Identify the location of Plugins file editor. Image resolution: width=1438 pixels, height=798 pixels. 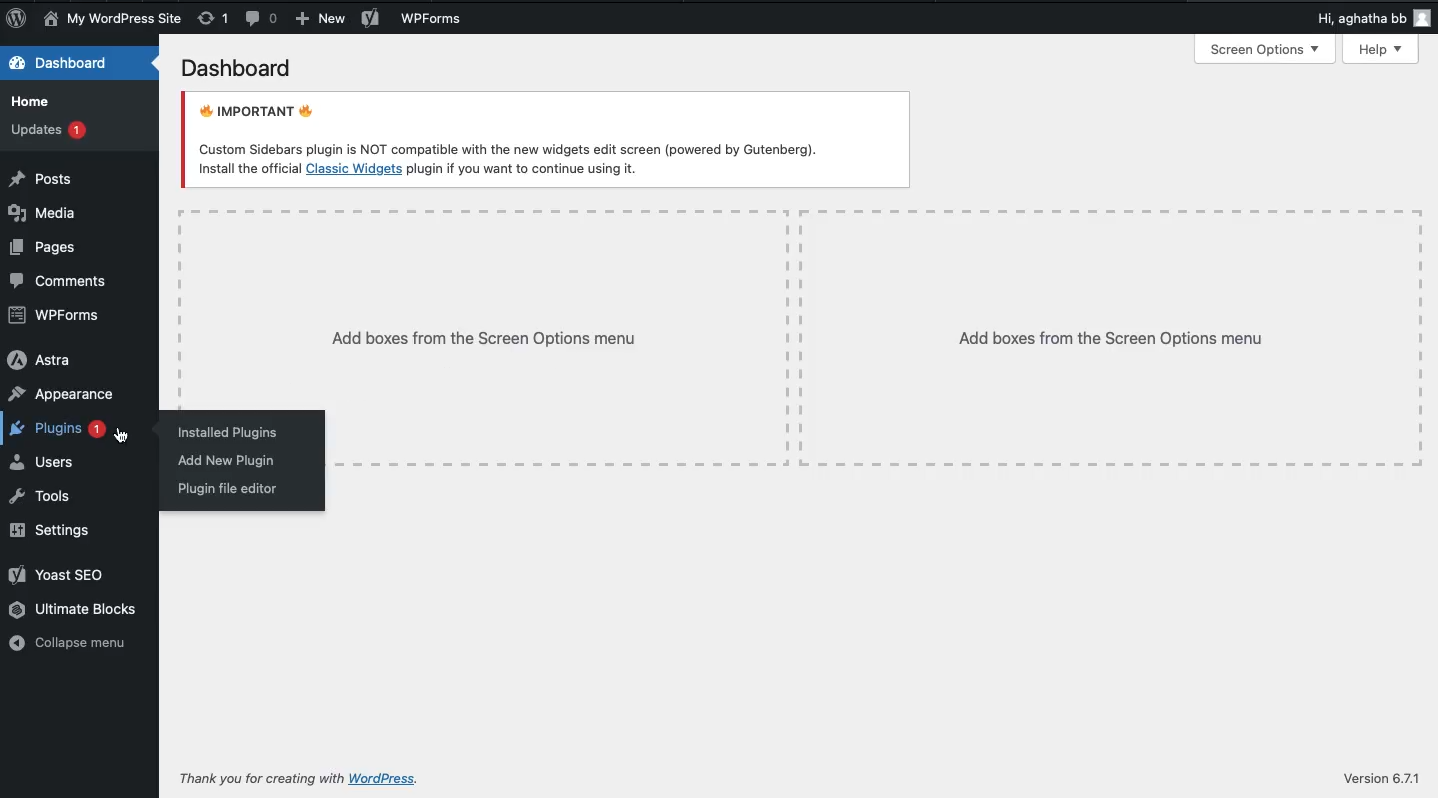
(228, 489).